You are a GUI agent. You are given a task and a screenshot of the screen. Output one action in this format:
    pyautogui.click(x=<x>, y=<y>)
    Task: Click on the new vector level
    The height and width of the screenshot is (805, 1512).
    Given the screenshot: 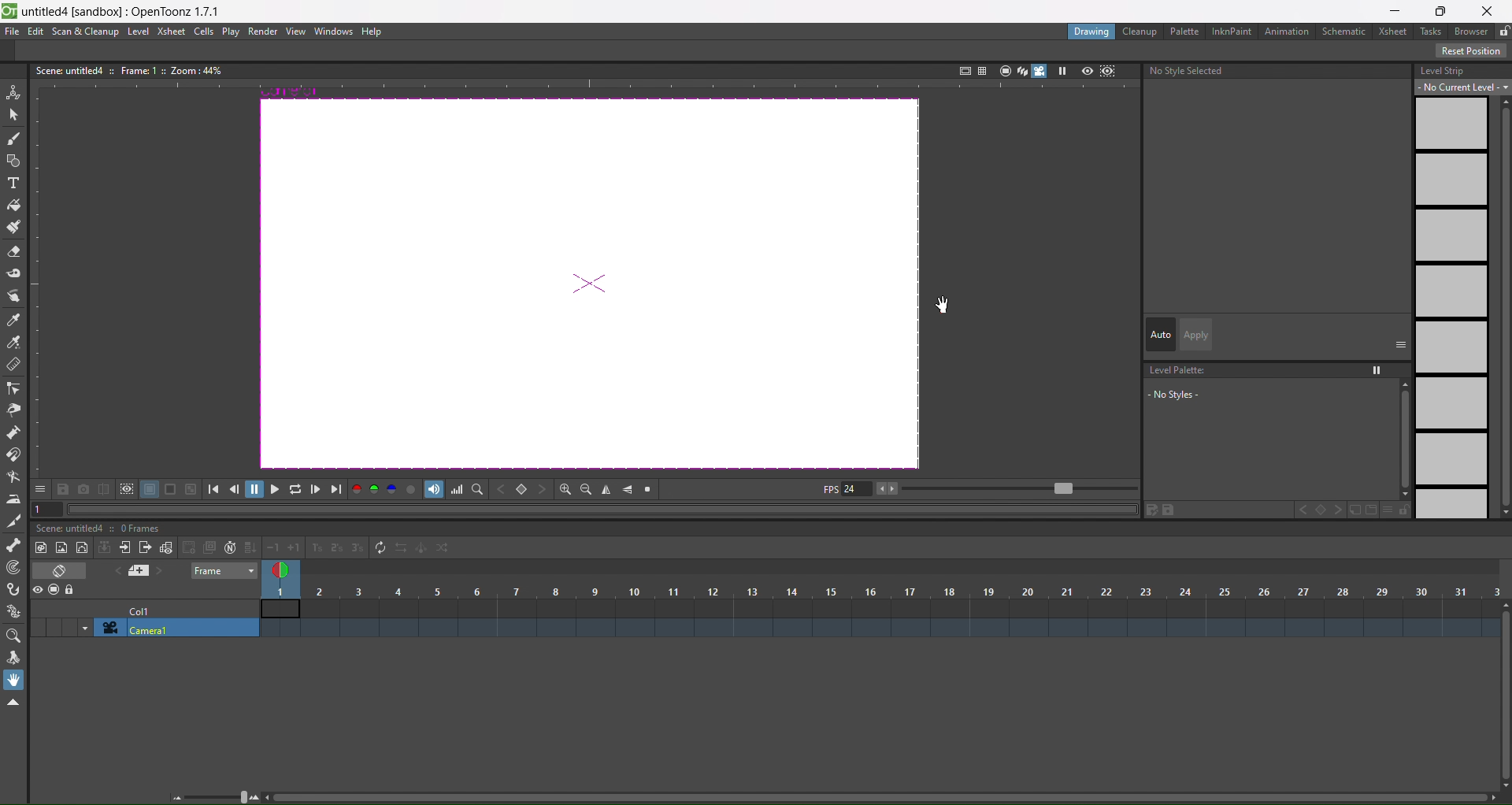 What is the action you would take?
    pyautogui.click(x=82, y=548)
    